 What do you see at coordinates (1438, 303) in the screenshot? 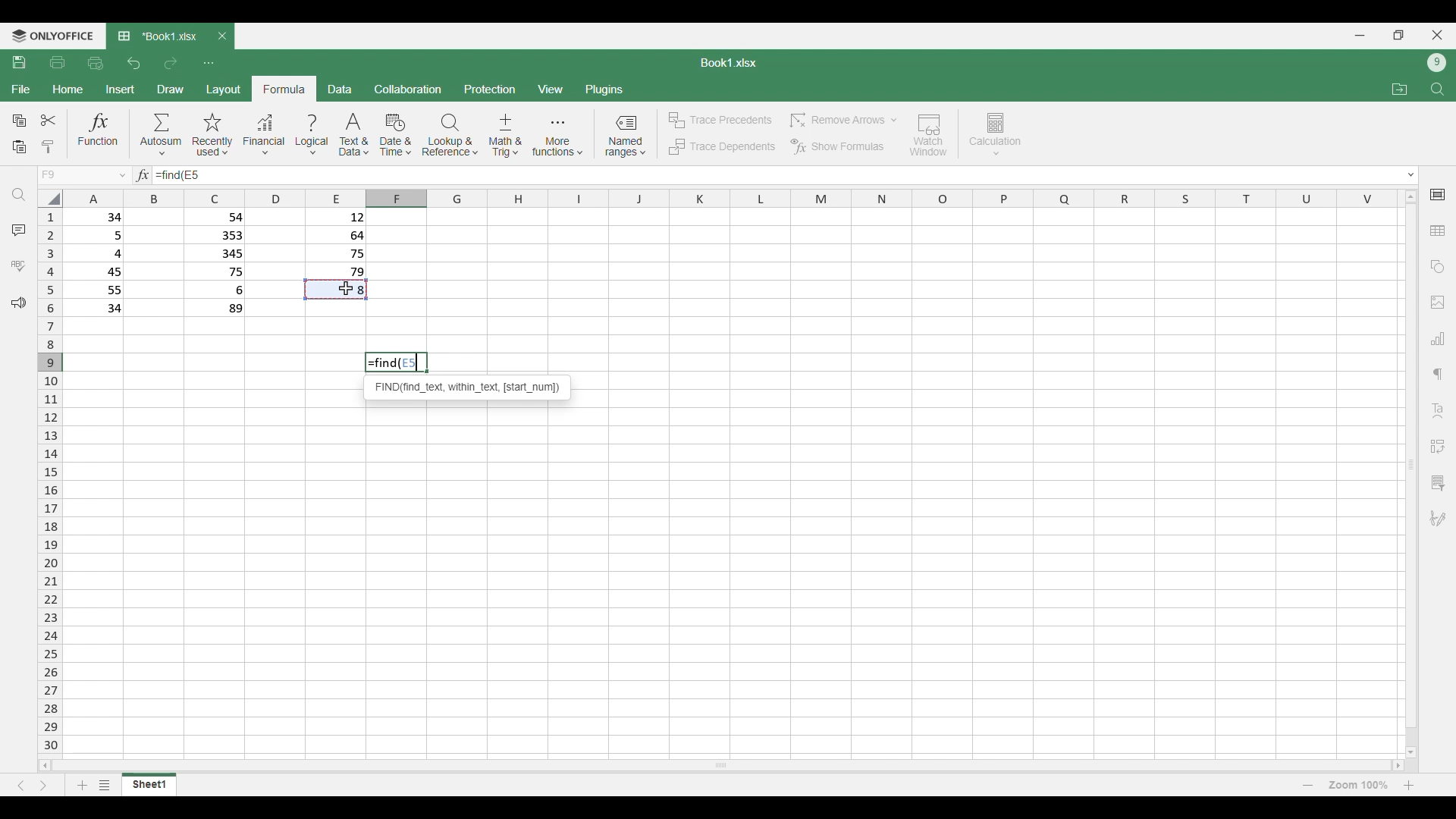
I see `Insert images` at bounding box center [1438, 303].